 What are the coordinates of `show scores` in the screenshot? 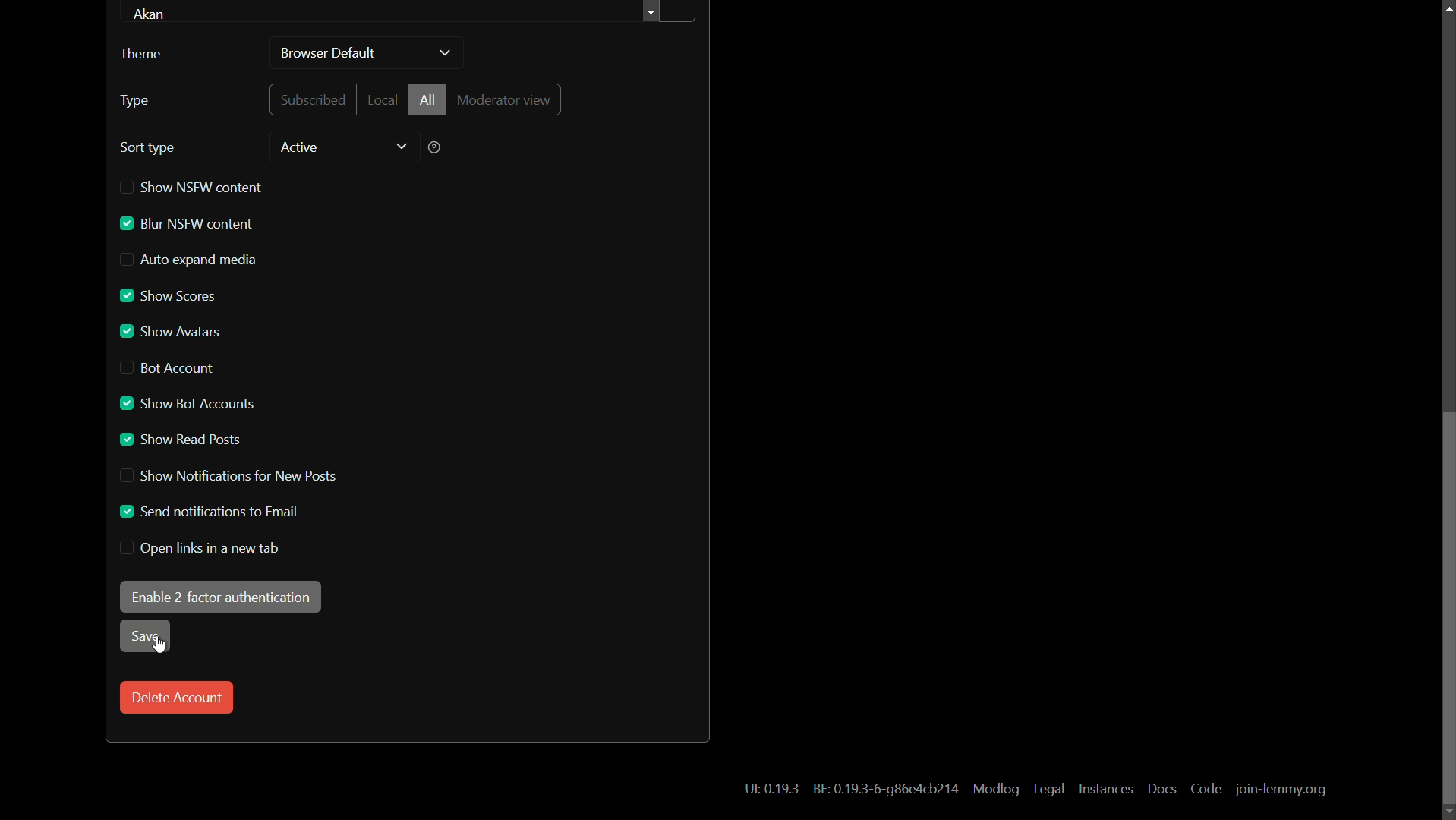 It's located at (168, 293).